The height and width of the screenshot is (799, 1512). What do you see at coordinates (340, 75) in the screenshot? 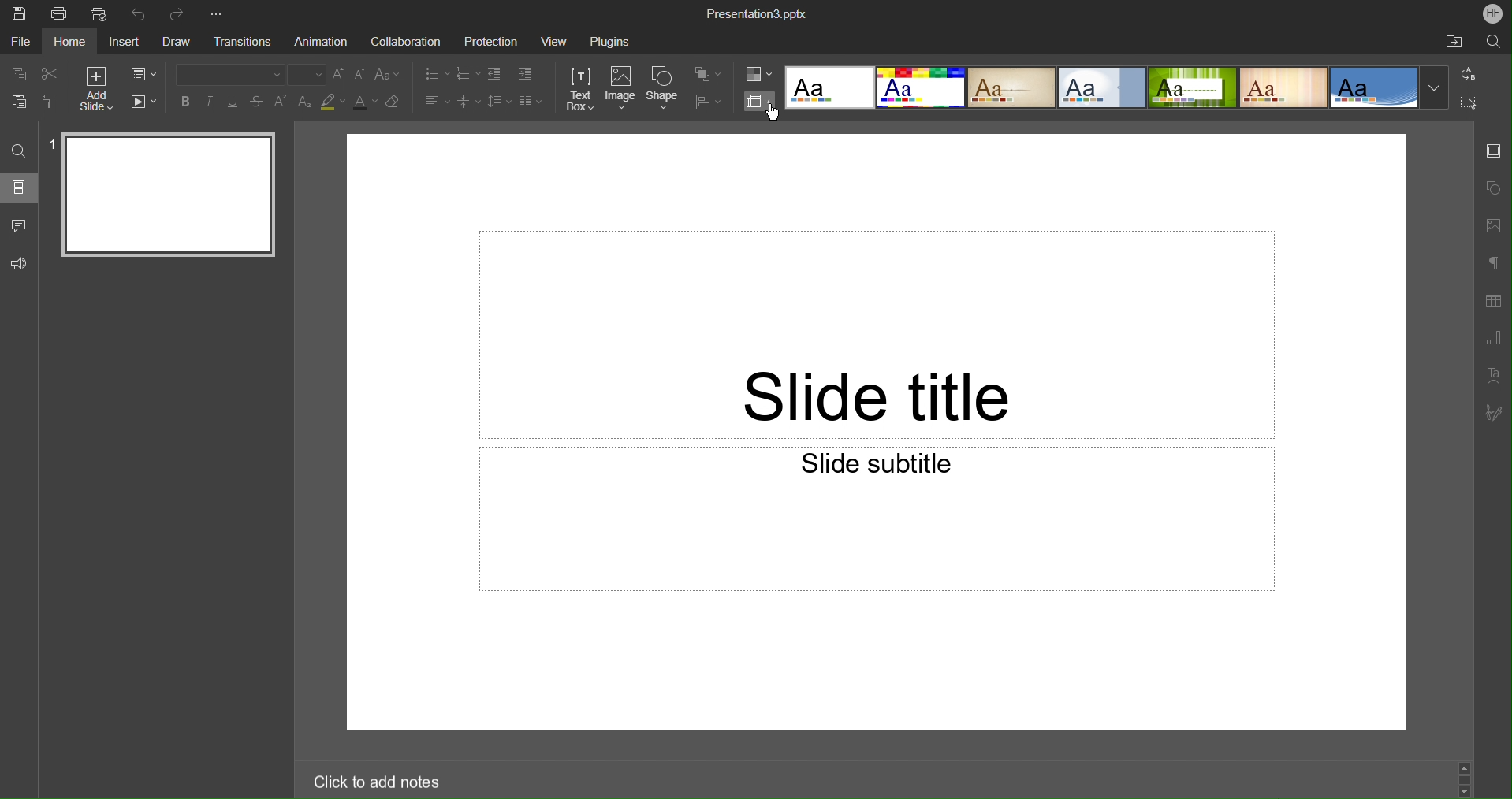
I see `Increase Font Size` at bounding box center [340, 75].